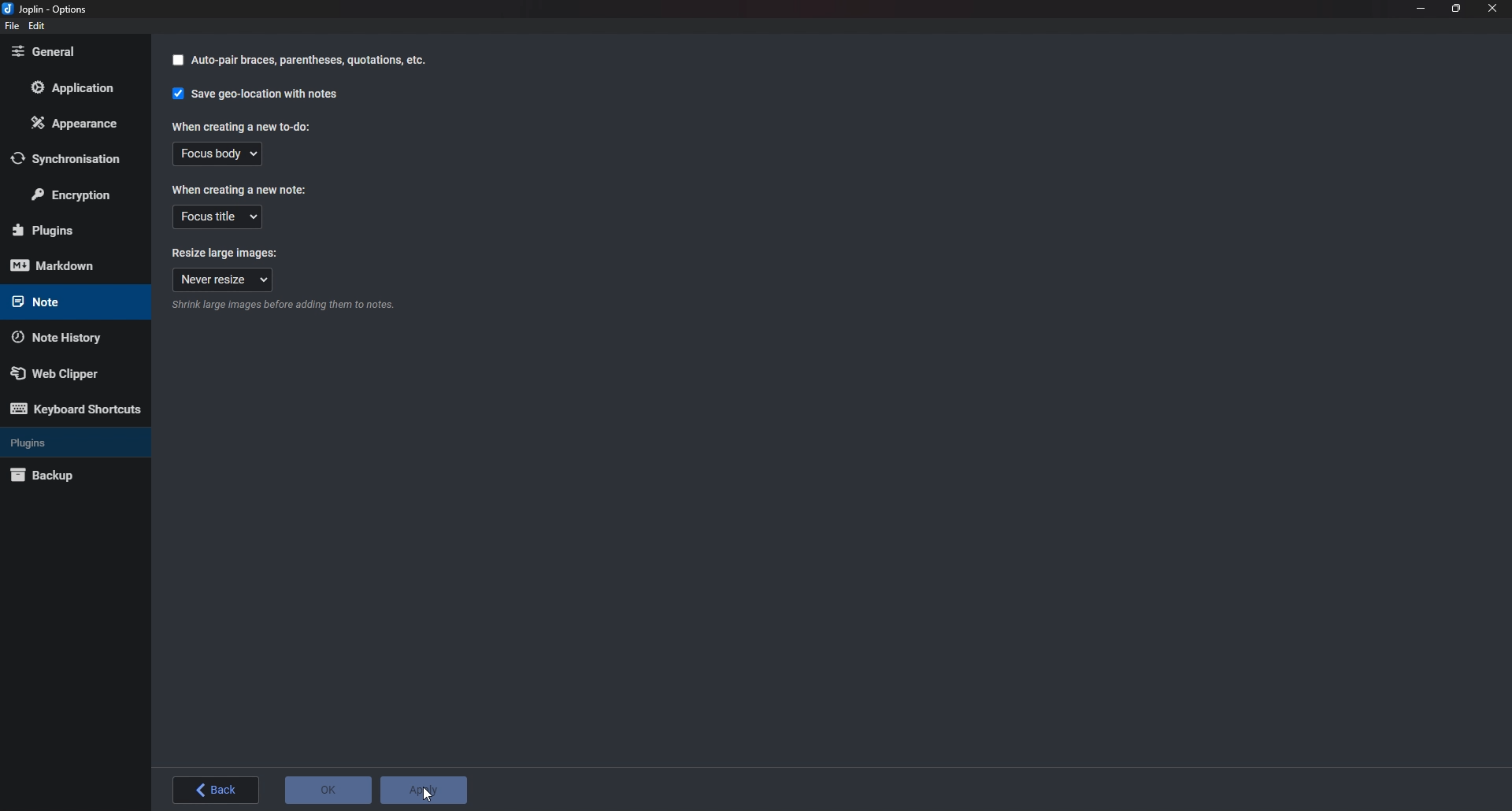 The height and width of the screenshot is (811, 1512). What do you see at coordinates (77, 407) in the screenshot?
I see `Keyboard shortcuts` at bounding box center [77, 407].